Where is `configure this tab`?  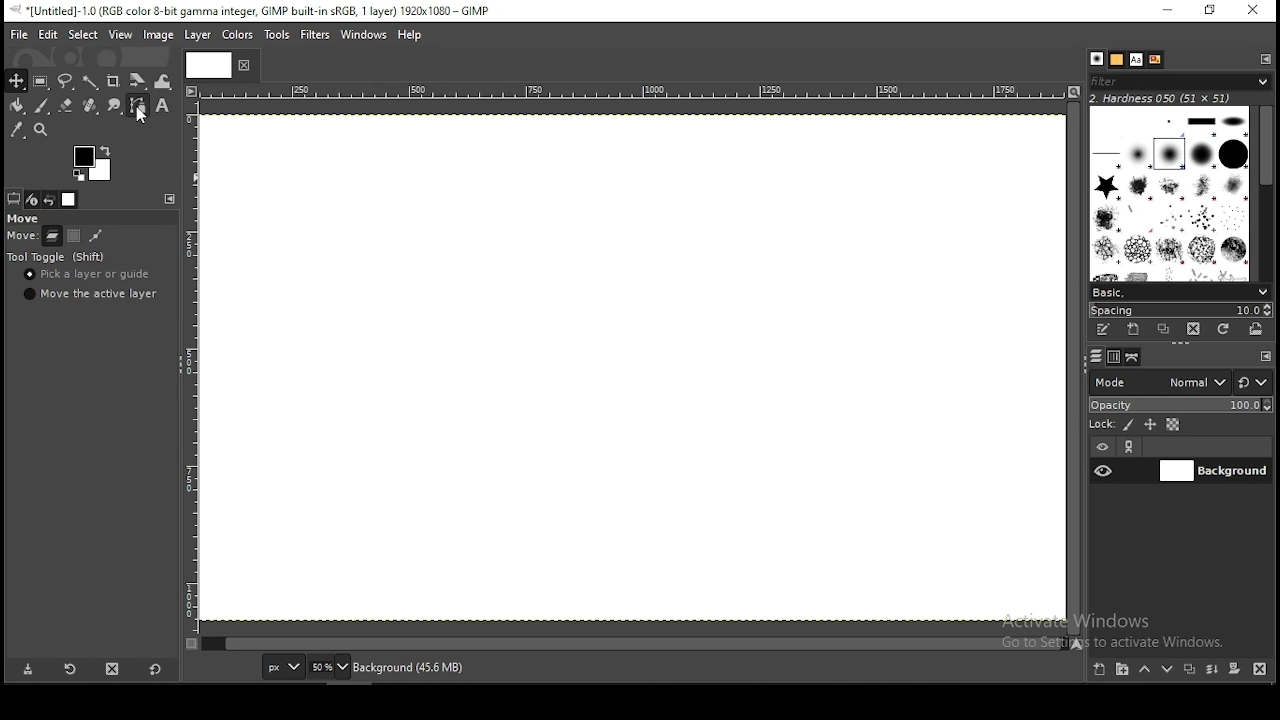 configure this tab is located at coordinates (172, 199).